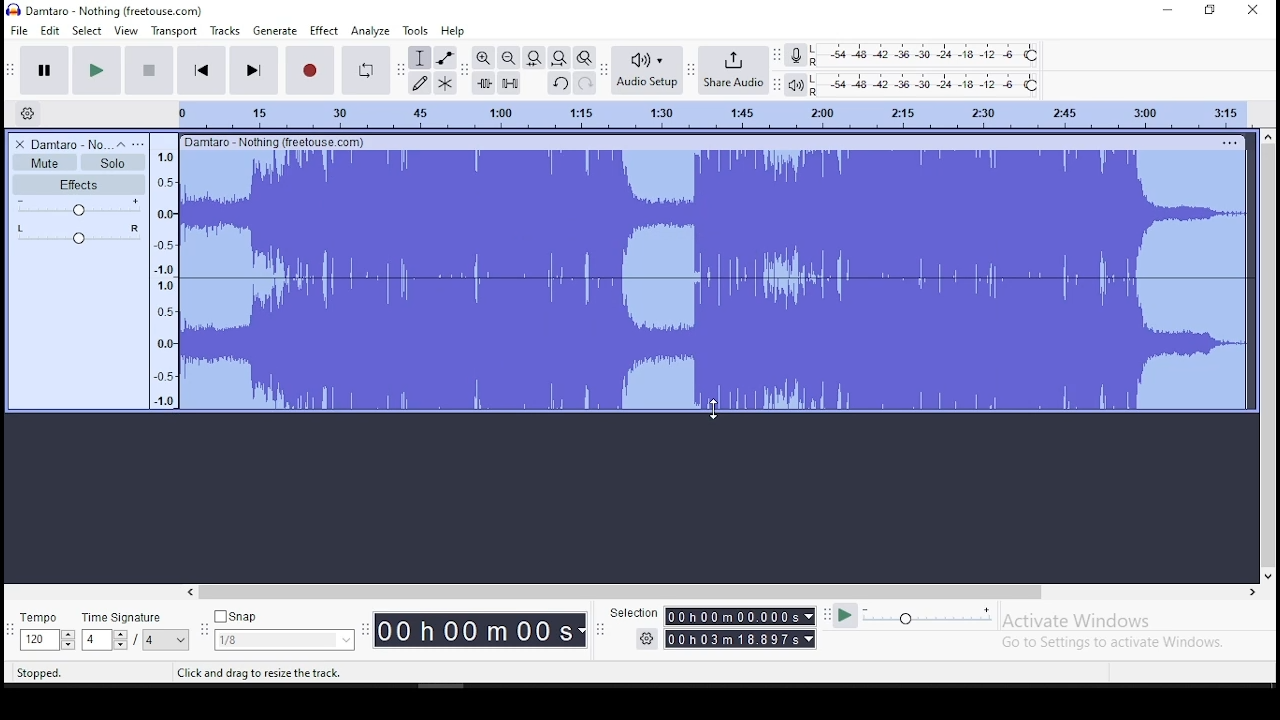 The height and width of the screenshot is (720, 1280). I want to click on , so click(399, 69).